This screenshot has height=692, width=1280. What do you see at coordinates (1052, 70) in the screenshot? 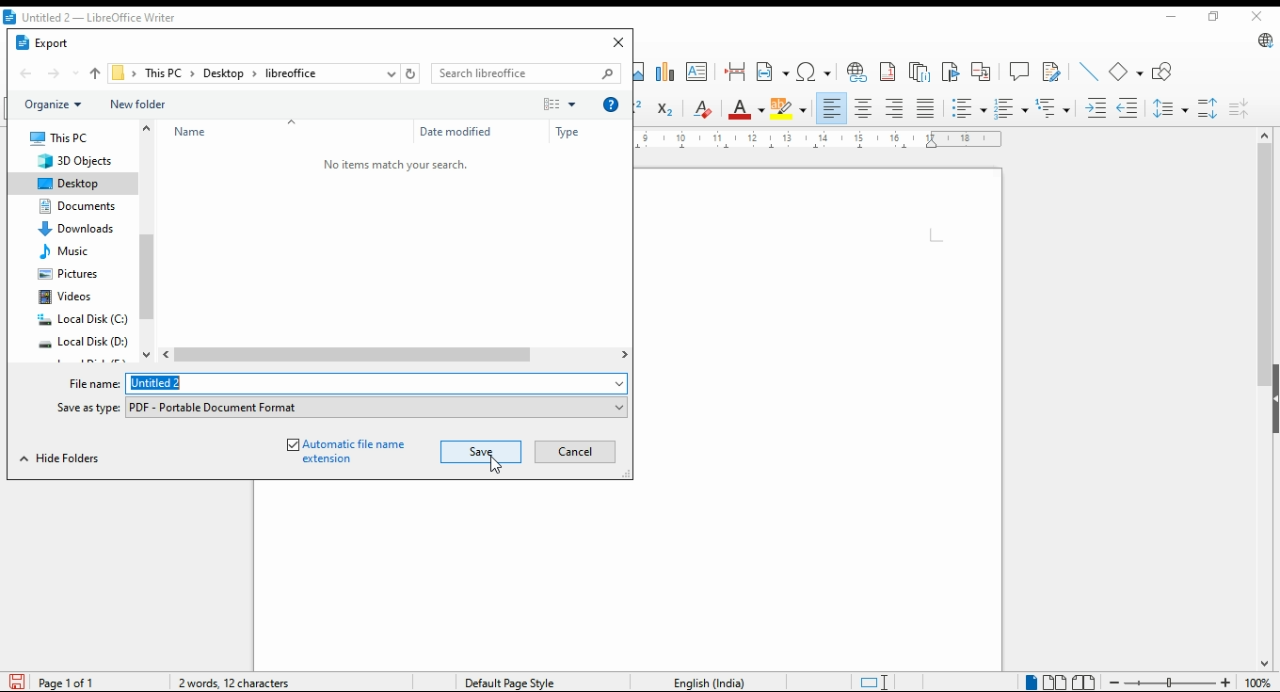
I see `show track changes functions` at bounding box center [1052, 70].